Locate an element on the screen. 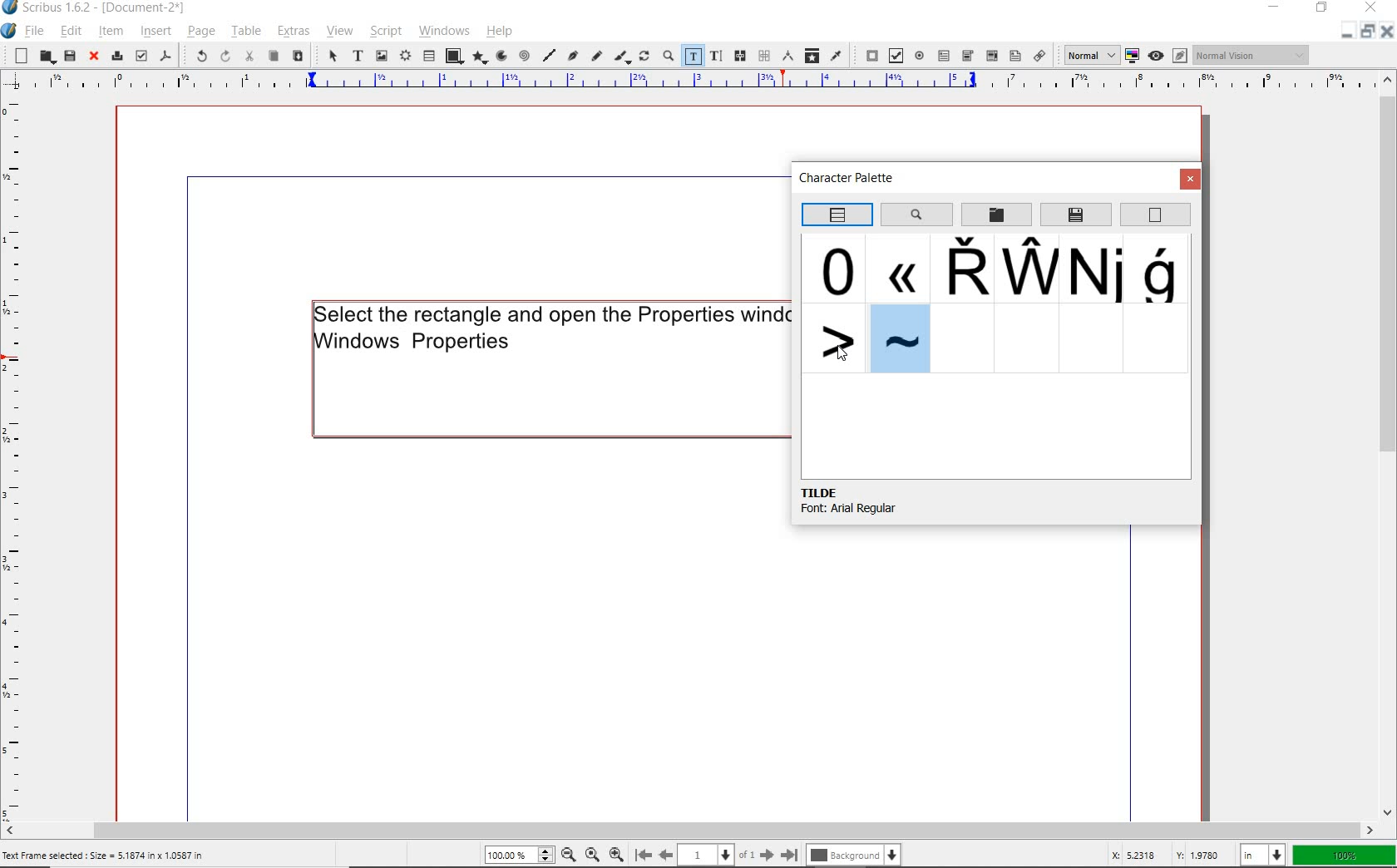  rotate item is located at coordinates (644, 57).